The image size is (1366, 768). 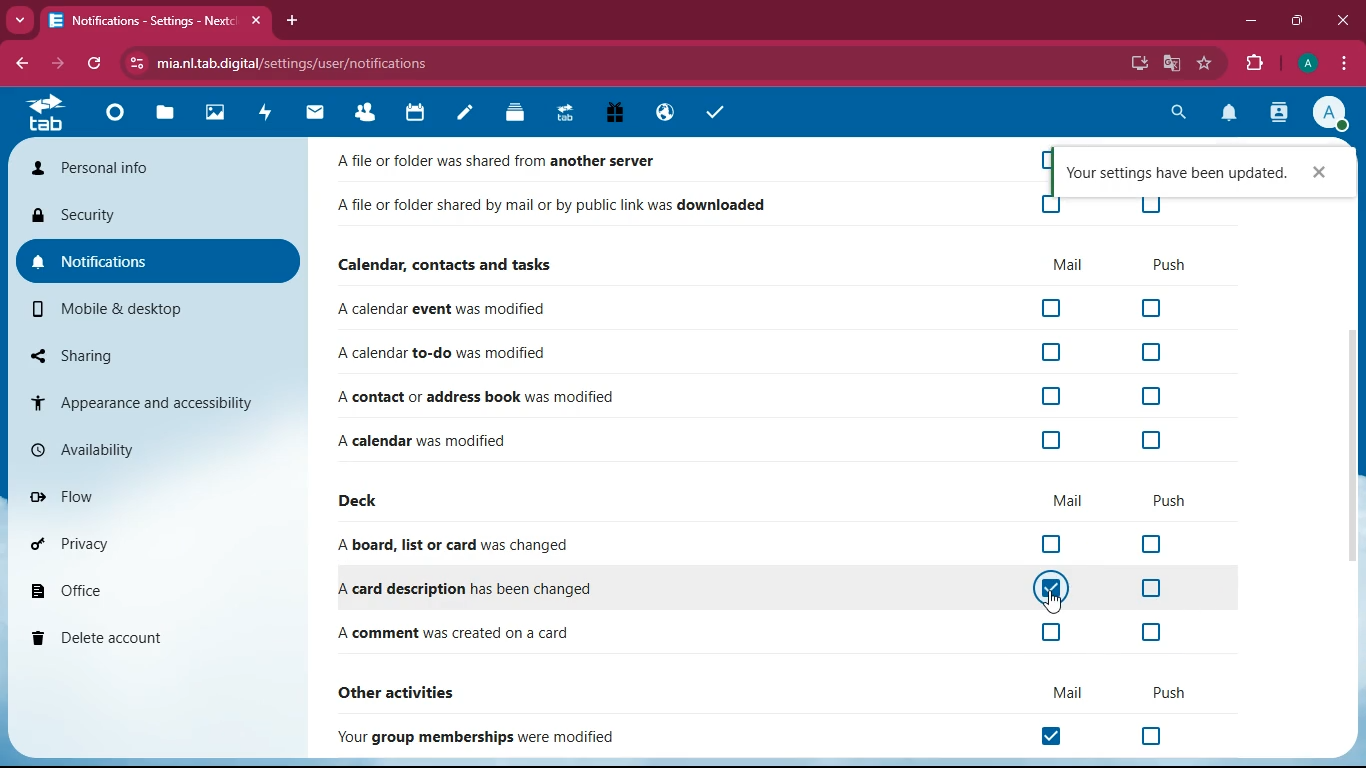 What do you see at coordinates (459, 589) in the screenshot?
I see `A card description has been changed` at bounding box center [459, 589].